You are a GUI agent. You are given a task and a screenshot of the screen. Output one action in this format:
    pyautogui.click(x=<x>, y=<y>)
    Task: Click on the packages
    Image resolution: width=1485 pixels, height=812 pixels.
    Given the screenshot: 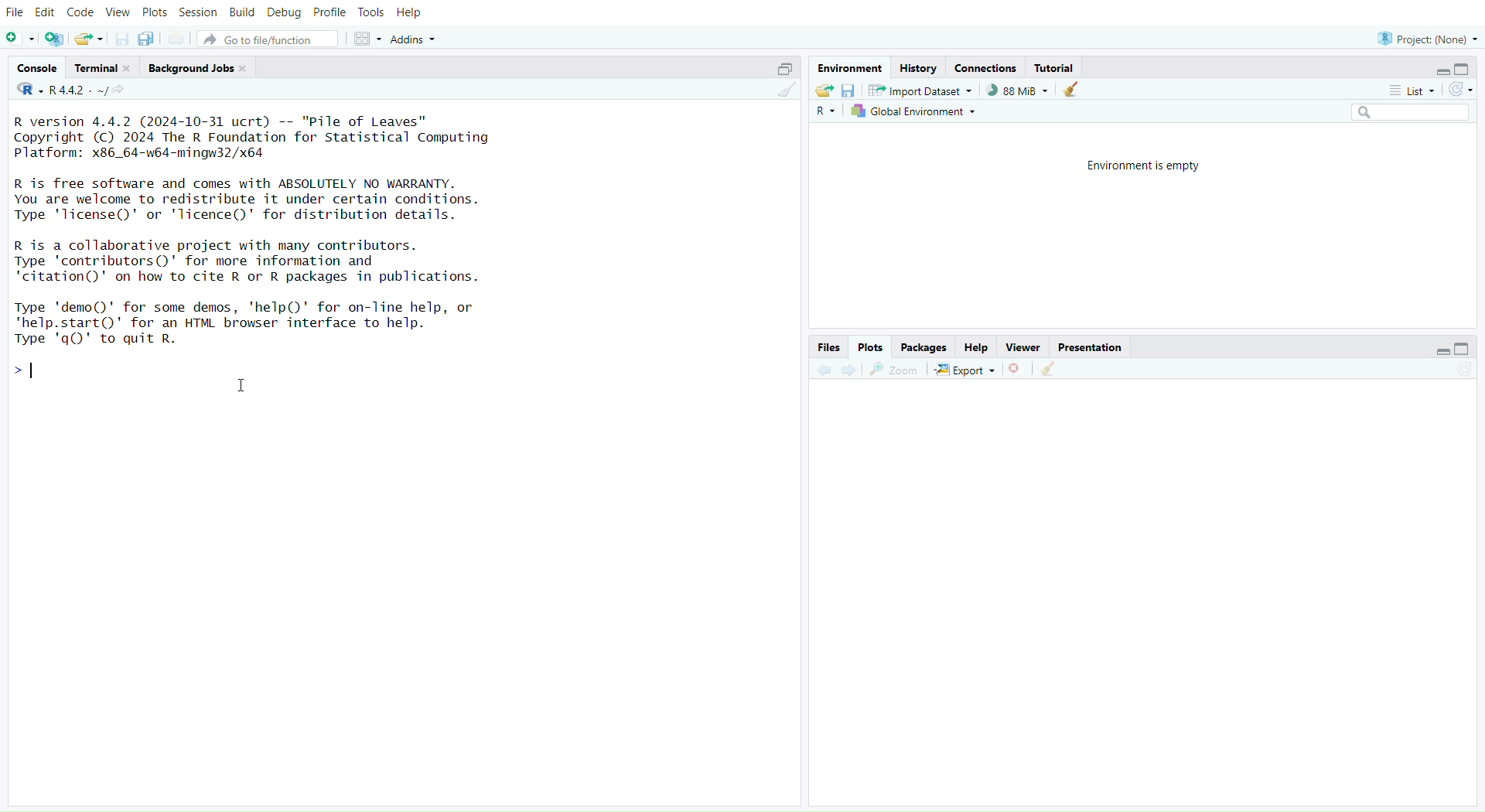 What is the action you would take?
    pyautogui.click(x=925, y=348)
    